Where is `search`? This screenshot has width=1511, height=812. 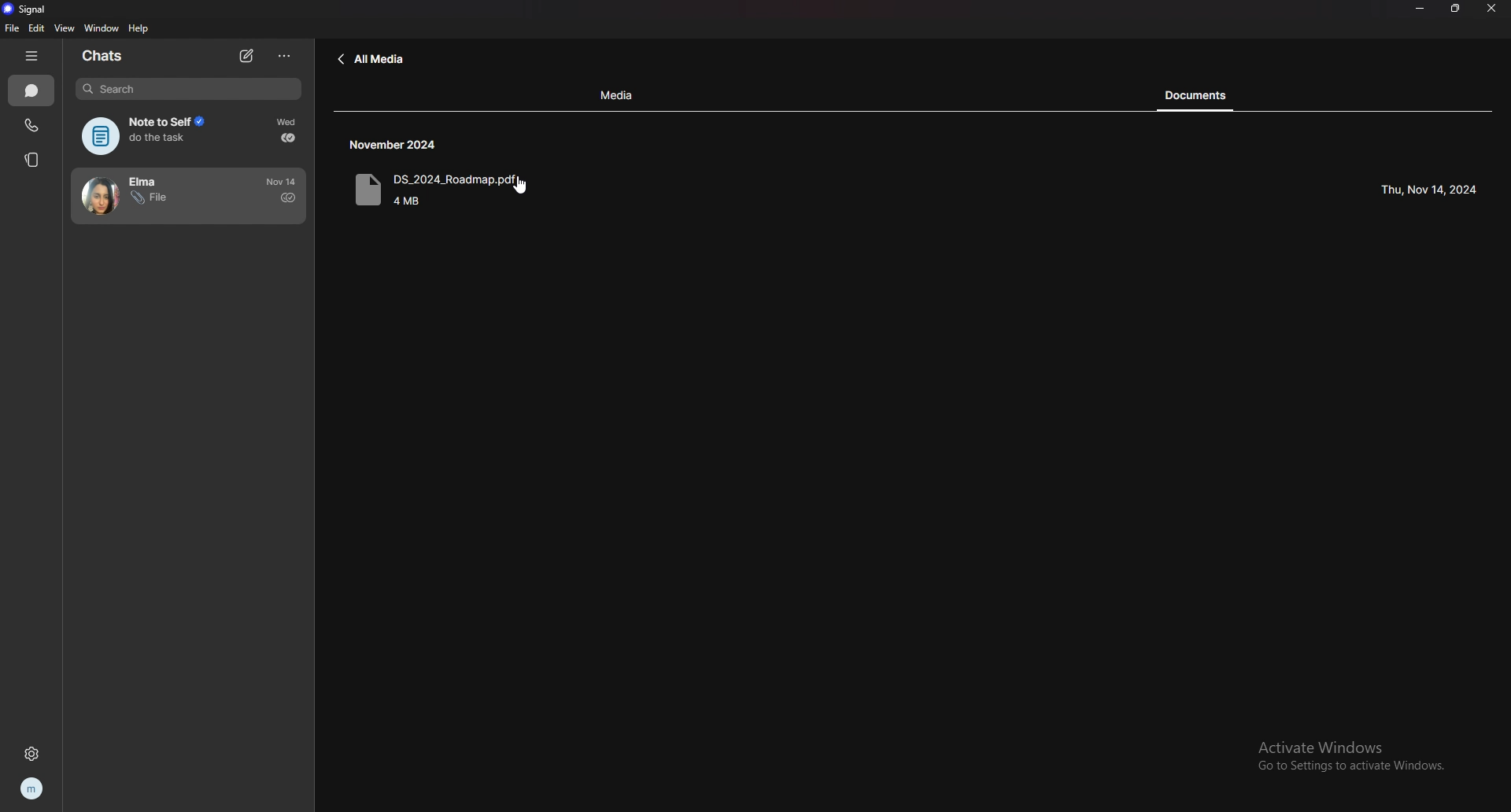 search is located at coordinates (189, 89).